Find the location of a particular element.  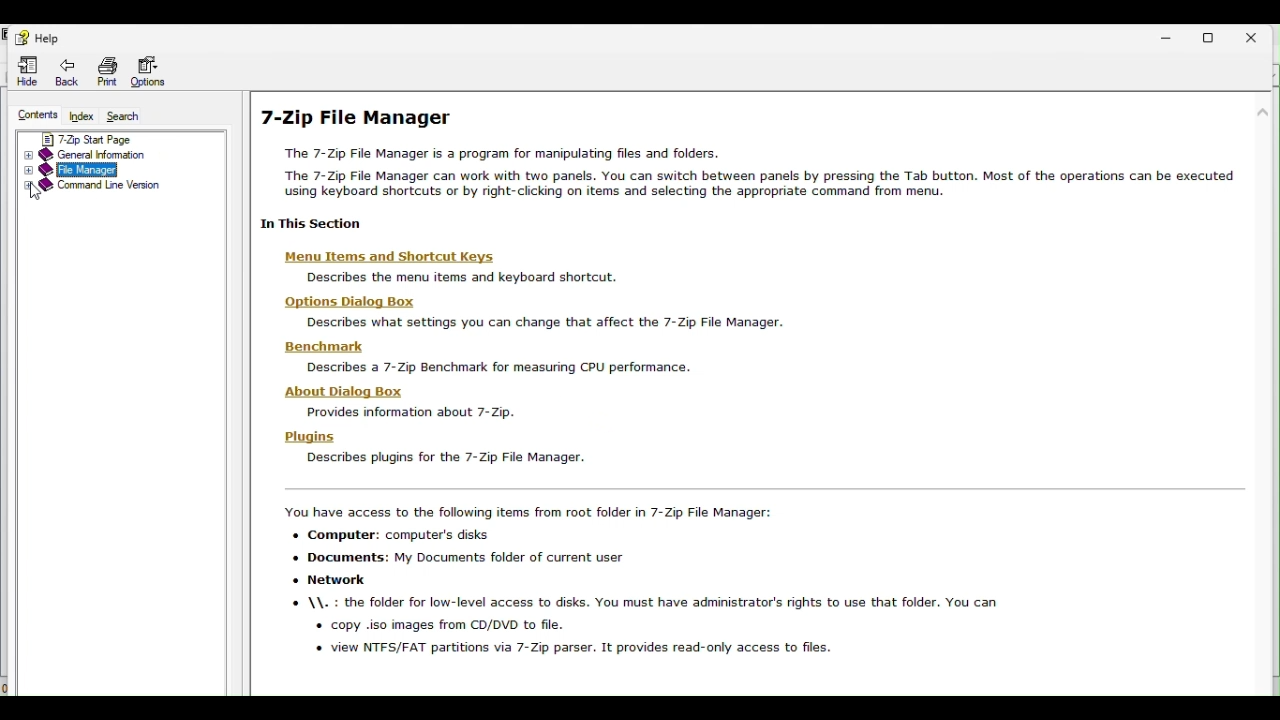

| In This Section is located at coordinates (305, 224).